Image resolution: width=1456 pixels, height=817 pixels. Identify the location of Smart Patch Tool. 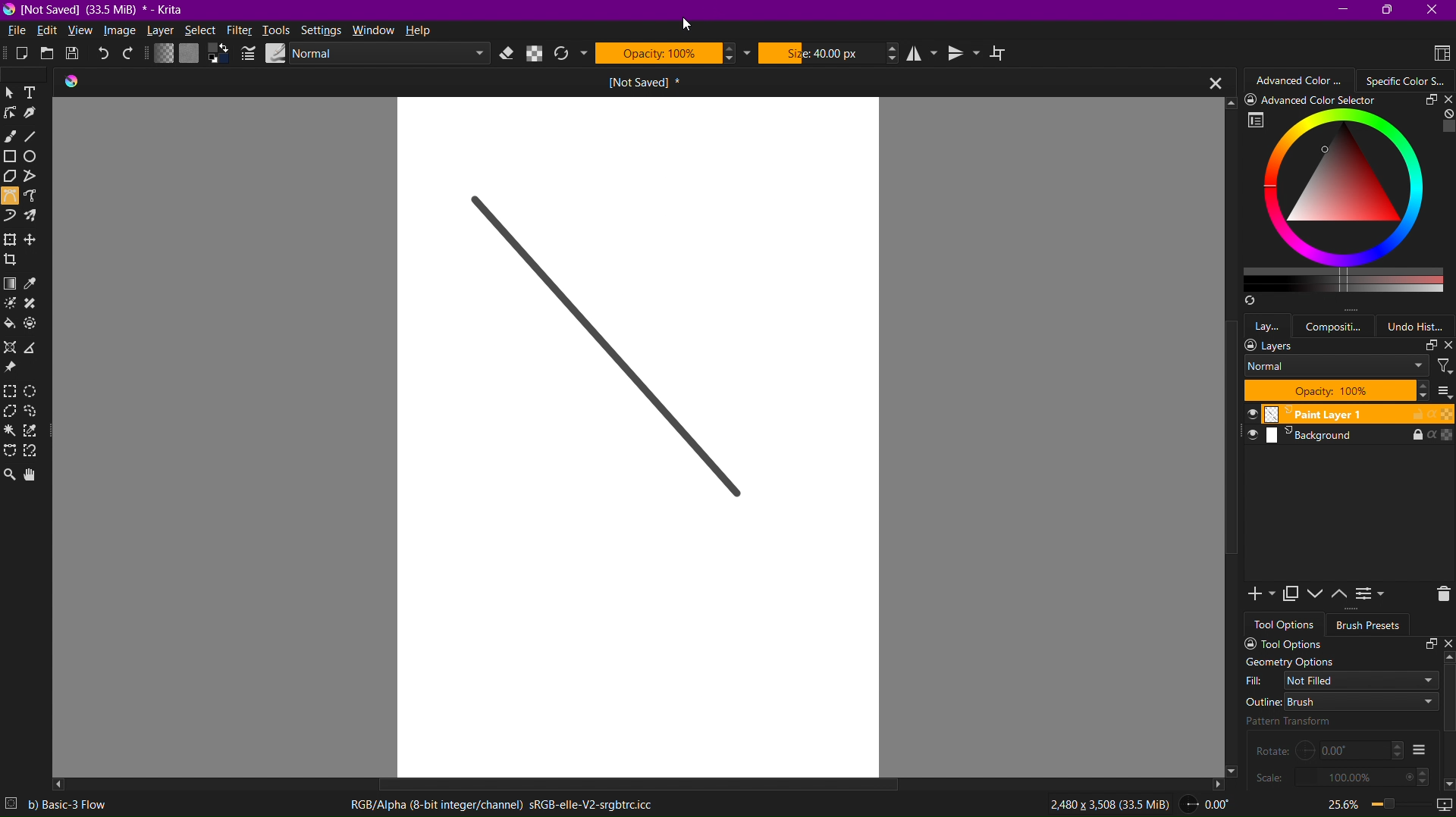
(36, 305).